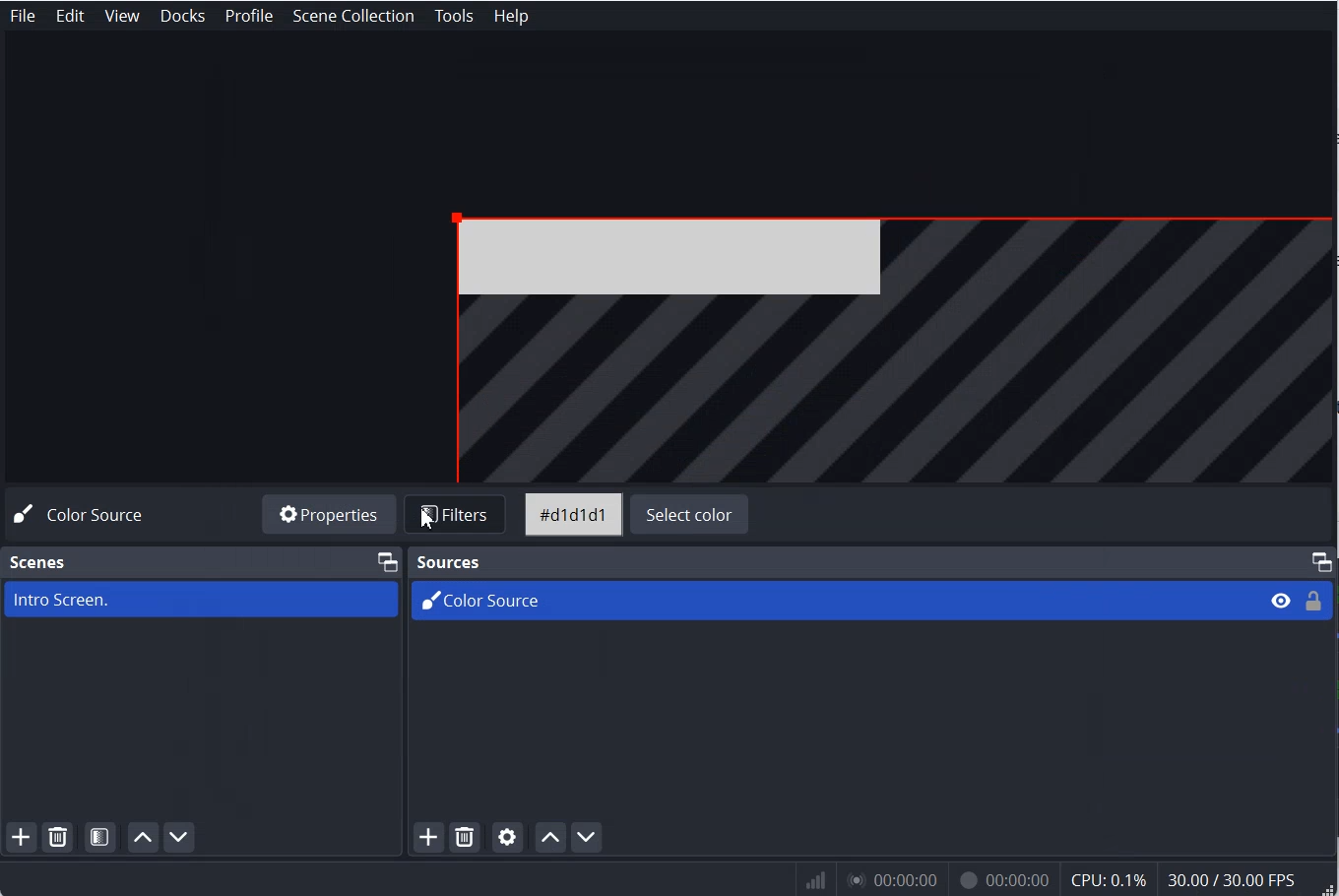  I want to click on Lock, so click(1313, 601).